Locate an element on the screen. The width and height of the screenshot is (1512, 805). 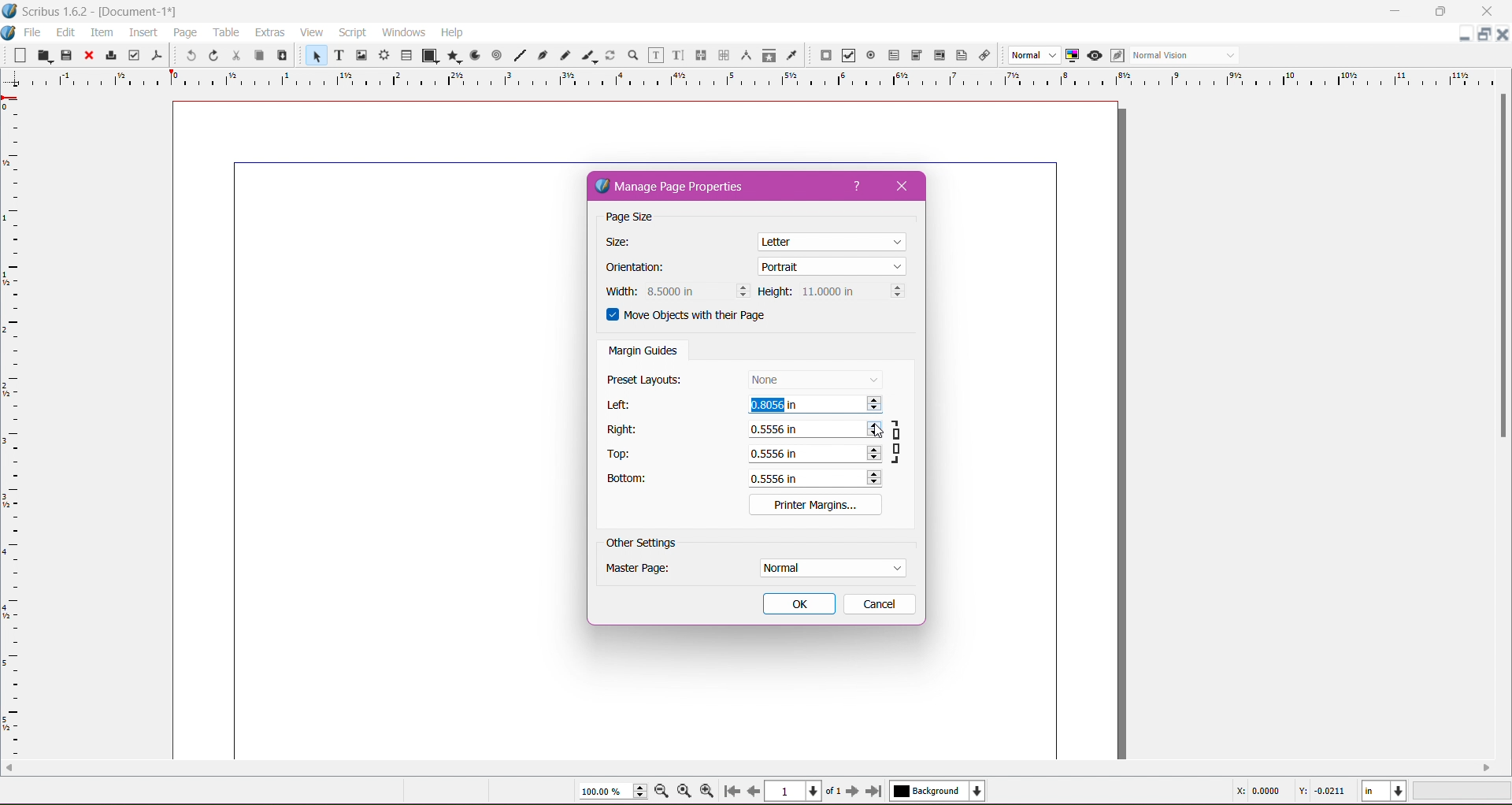
Title Bar color change on click is located at coordinates (776, 11).